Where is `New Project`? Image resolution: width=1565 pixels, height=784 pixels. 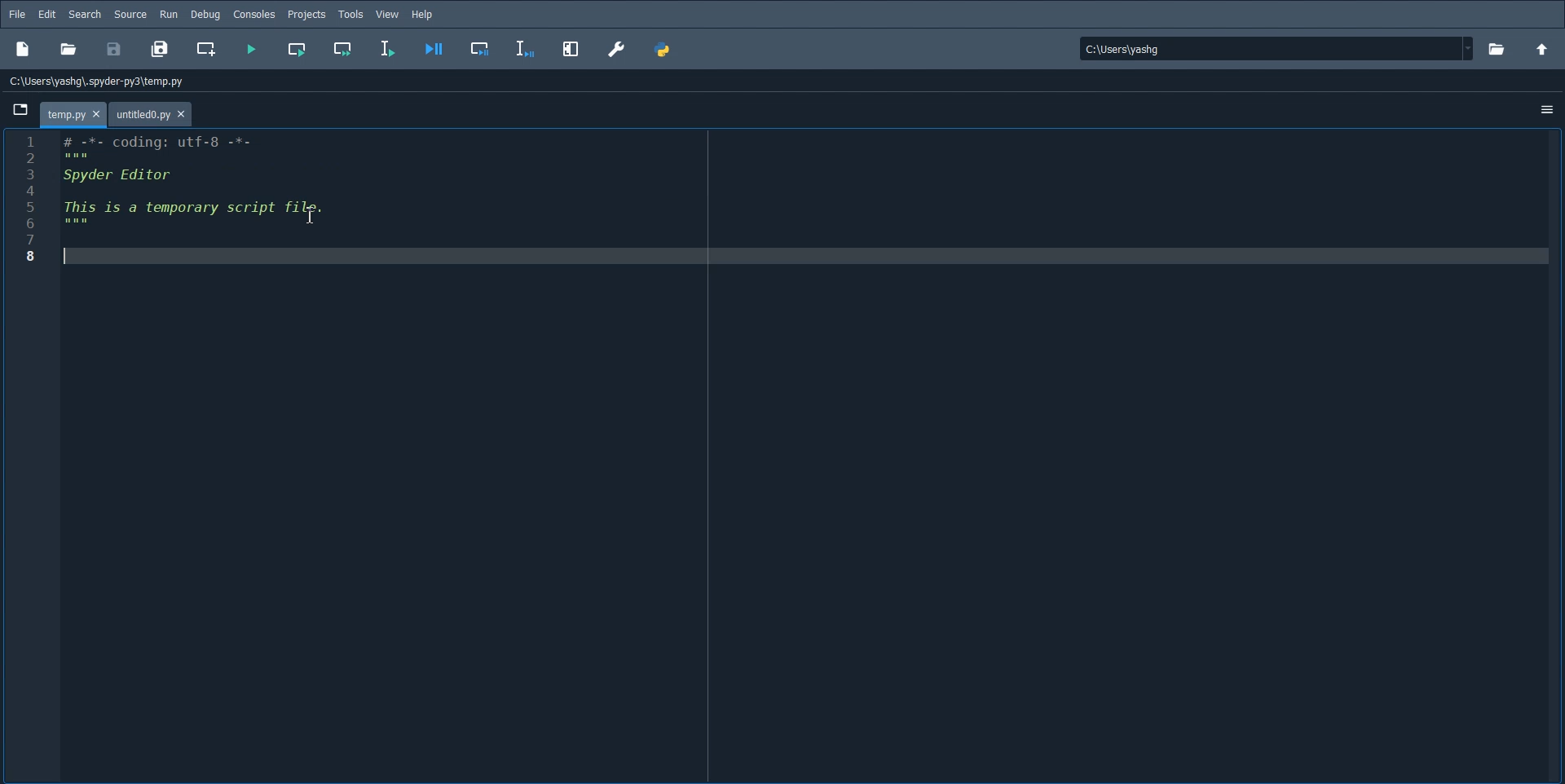 New Project is located at coordinates (23, 49).